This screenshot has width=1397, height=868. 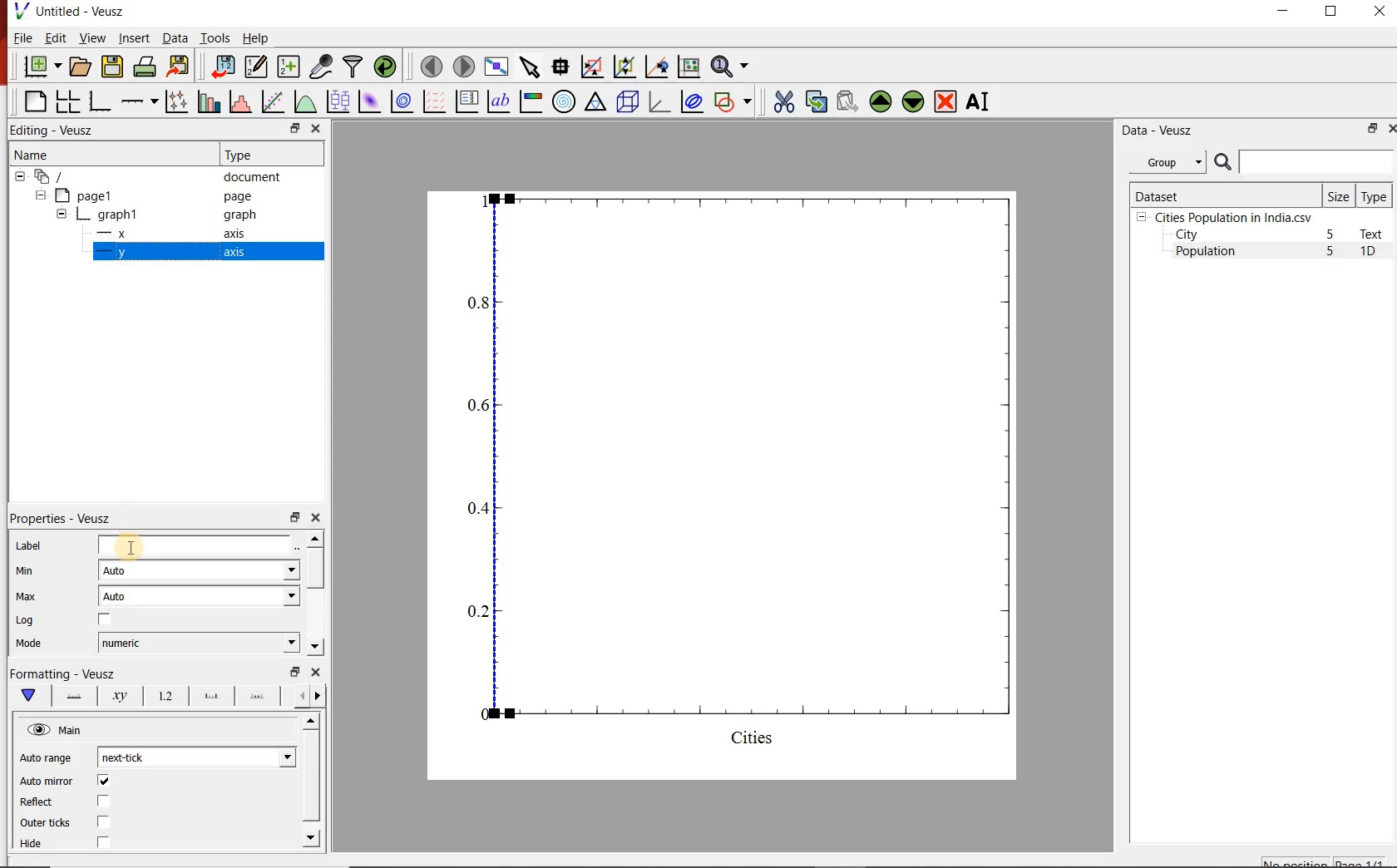 What do you see at coordinates (71, 12) in the screenshot?
I see `Untitled-Veusz` at bounding box center [71, 12].